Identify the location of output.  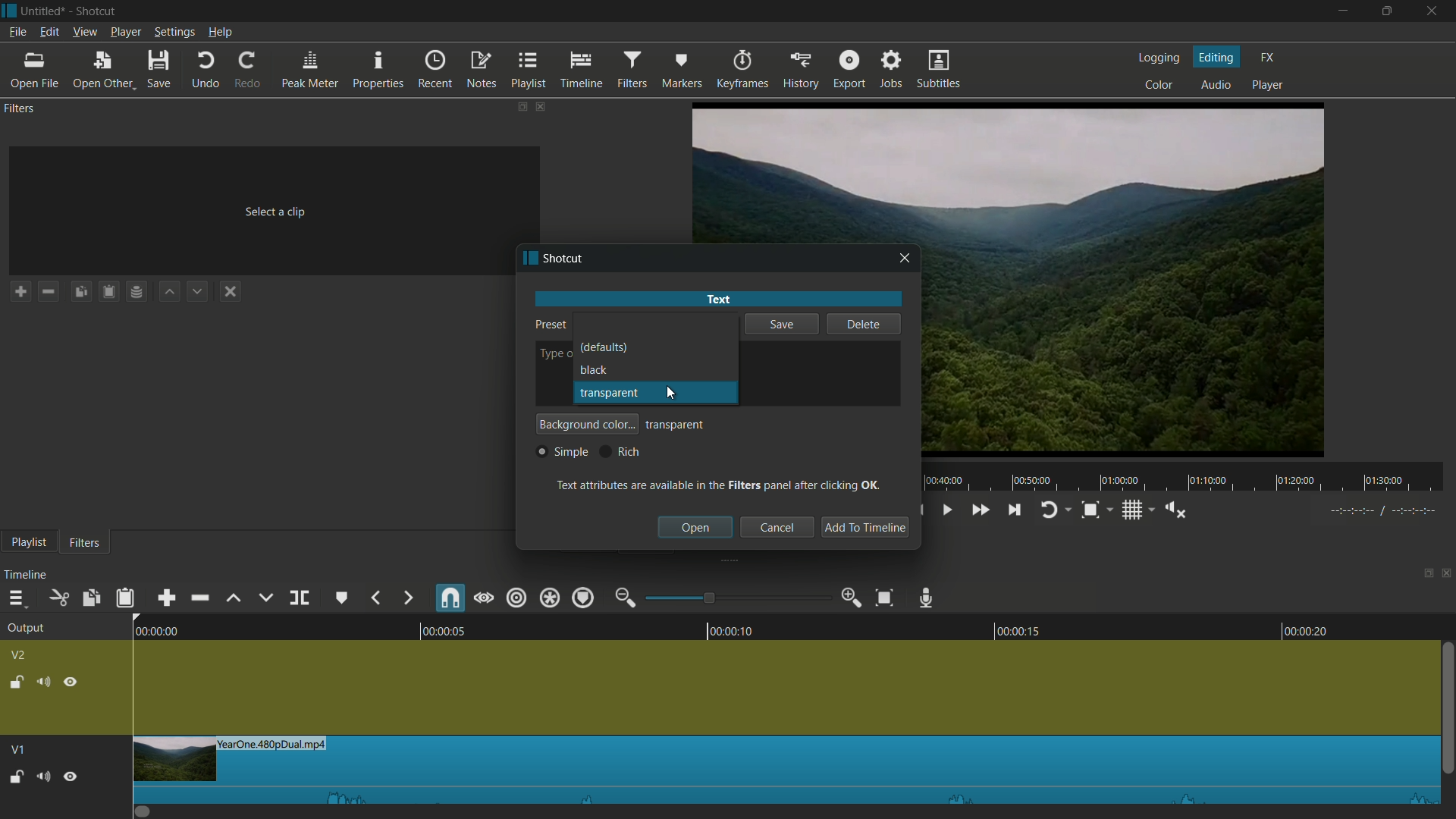
(24, 629).